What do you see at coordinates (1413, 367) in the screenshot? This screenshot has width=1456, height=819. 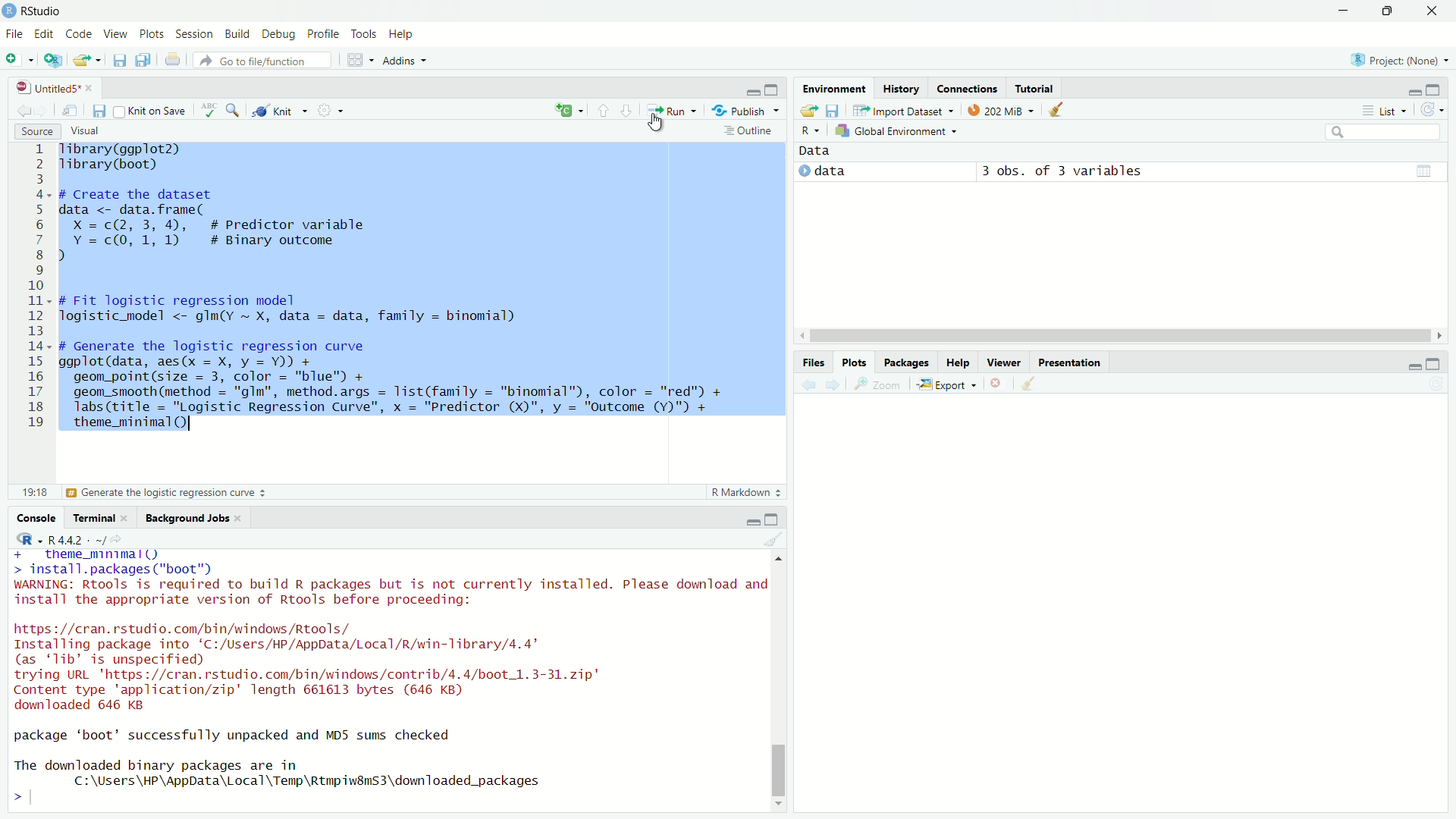 I see `minimize` at bounding box center [1413, 367].